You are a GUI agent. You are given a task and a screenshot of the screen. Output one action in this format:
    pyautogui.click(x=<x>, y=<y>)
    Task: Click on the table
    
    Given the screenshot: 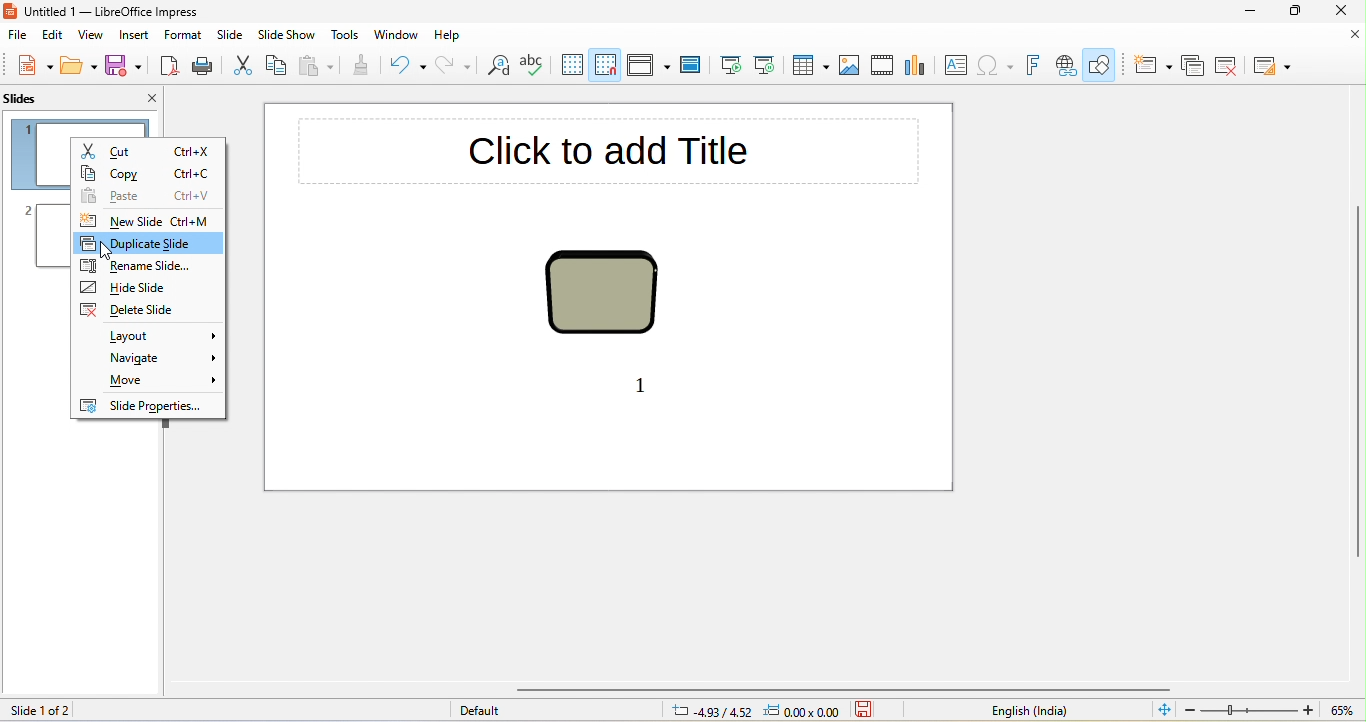 What is the action you would take?
    pyautogui.click(x=811, y=64)
    